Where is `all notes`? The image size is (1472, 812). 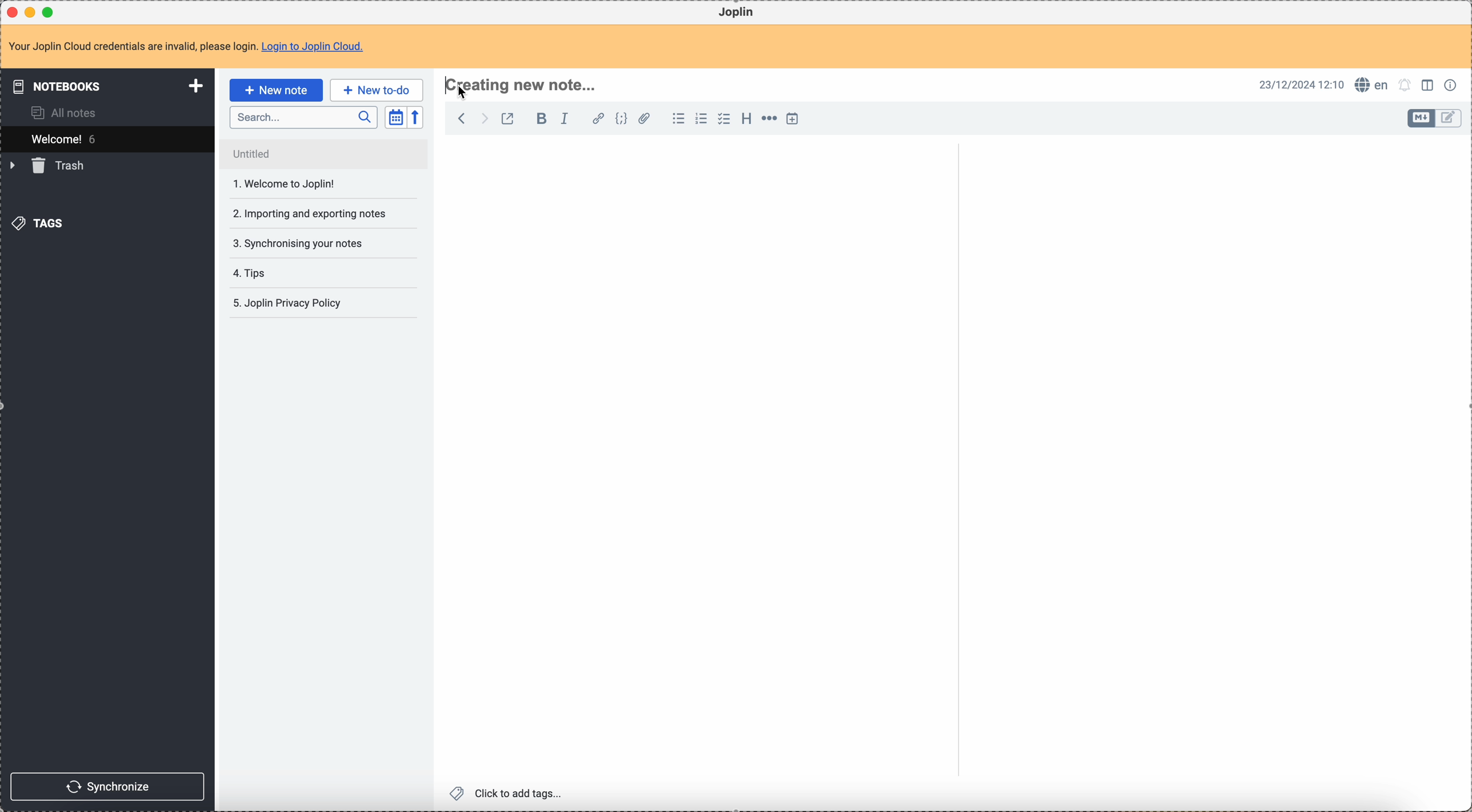
all notes is located at coordinates (59, 113).